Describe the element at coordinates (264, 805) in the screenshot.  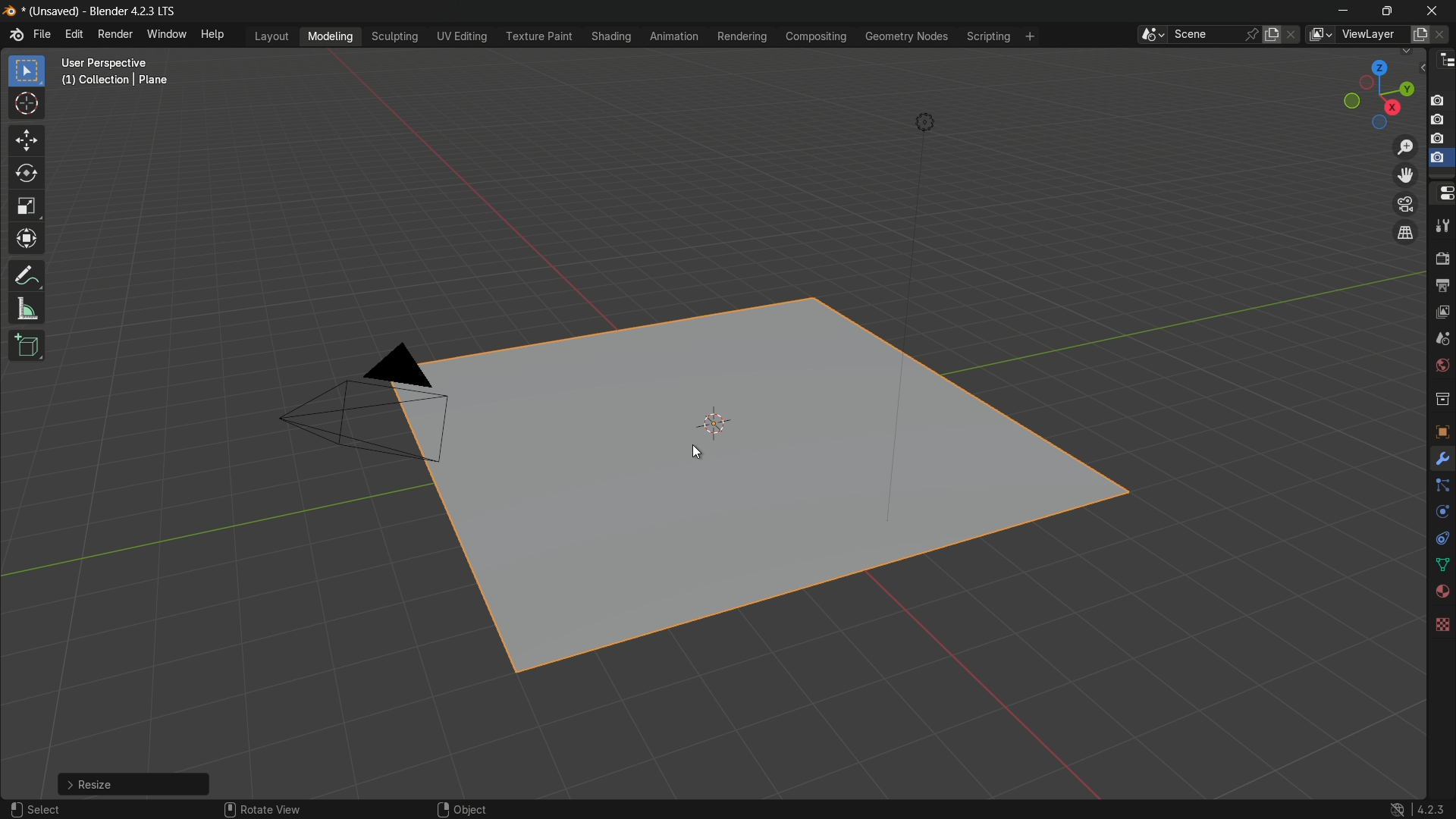
I see `rotate view` at that location.